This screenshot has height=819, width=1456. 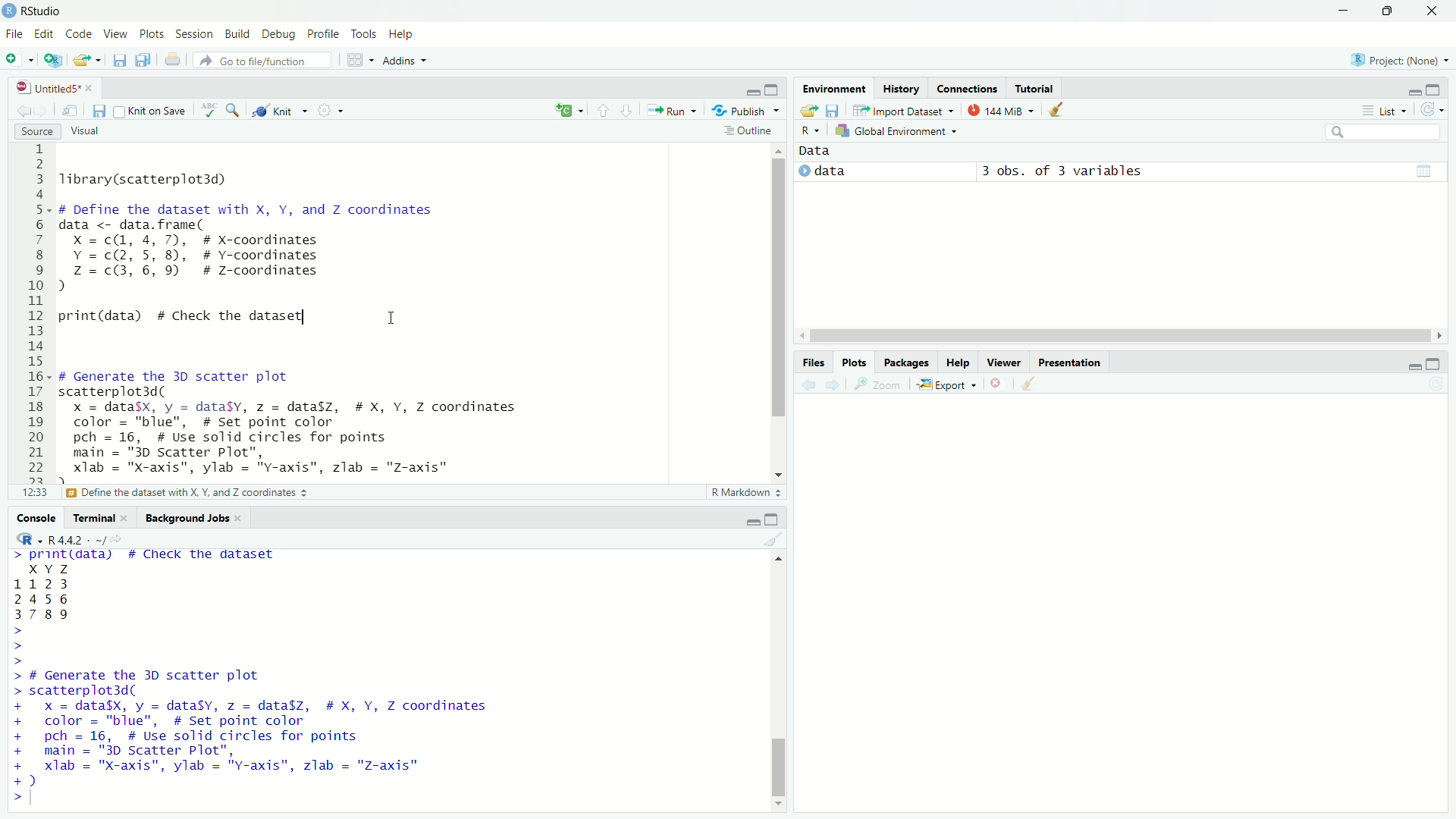 I want to click on view the current working directory, so click(x=126, y=539).